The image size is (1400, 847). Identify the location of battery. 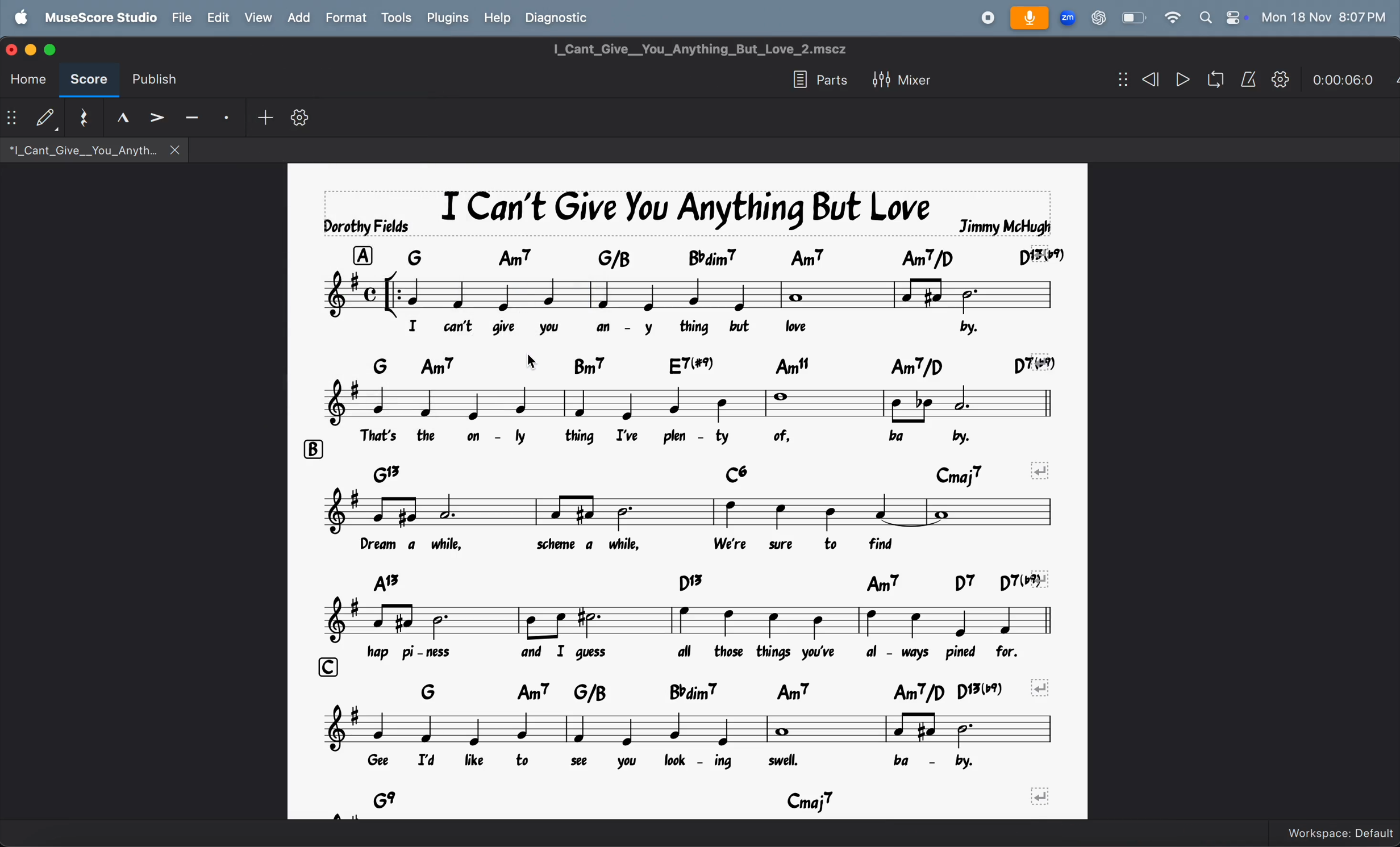
(1132, 18).